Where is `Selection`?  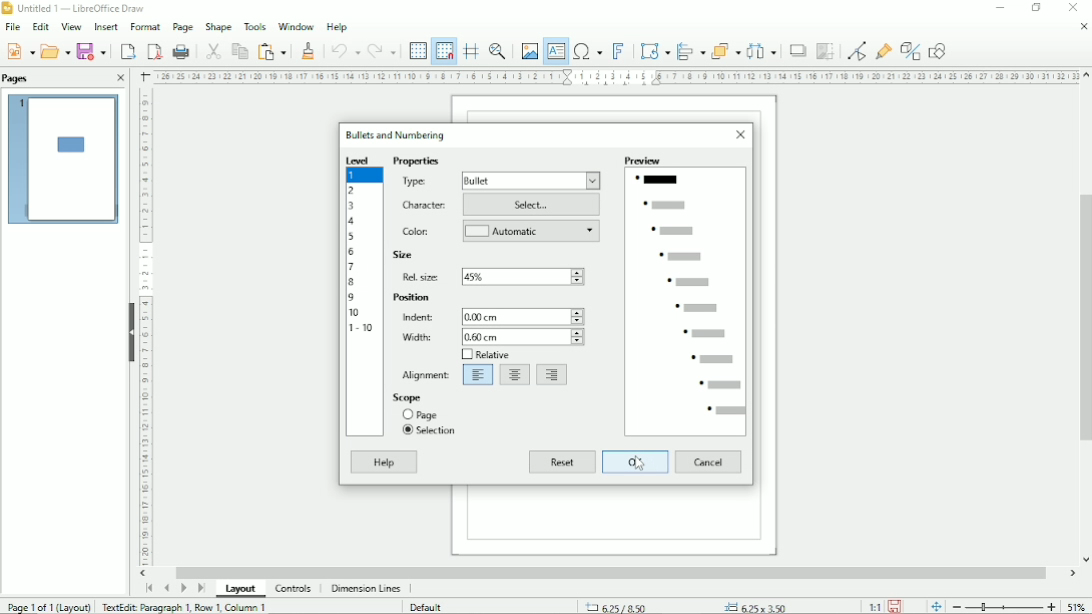 Selection is located at coordinates (430, 431).